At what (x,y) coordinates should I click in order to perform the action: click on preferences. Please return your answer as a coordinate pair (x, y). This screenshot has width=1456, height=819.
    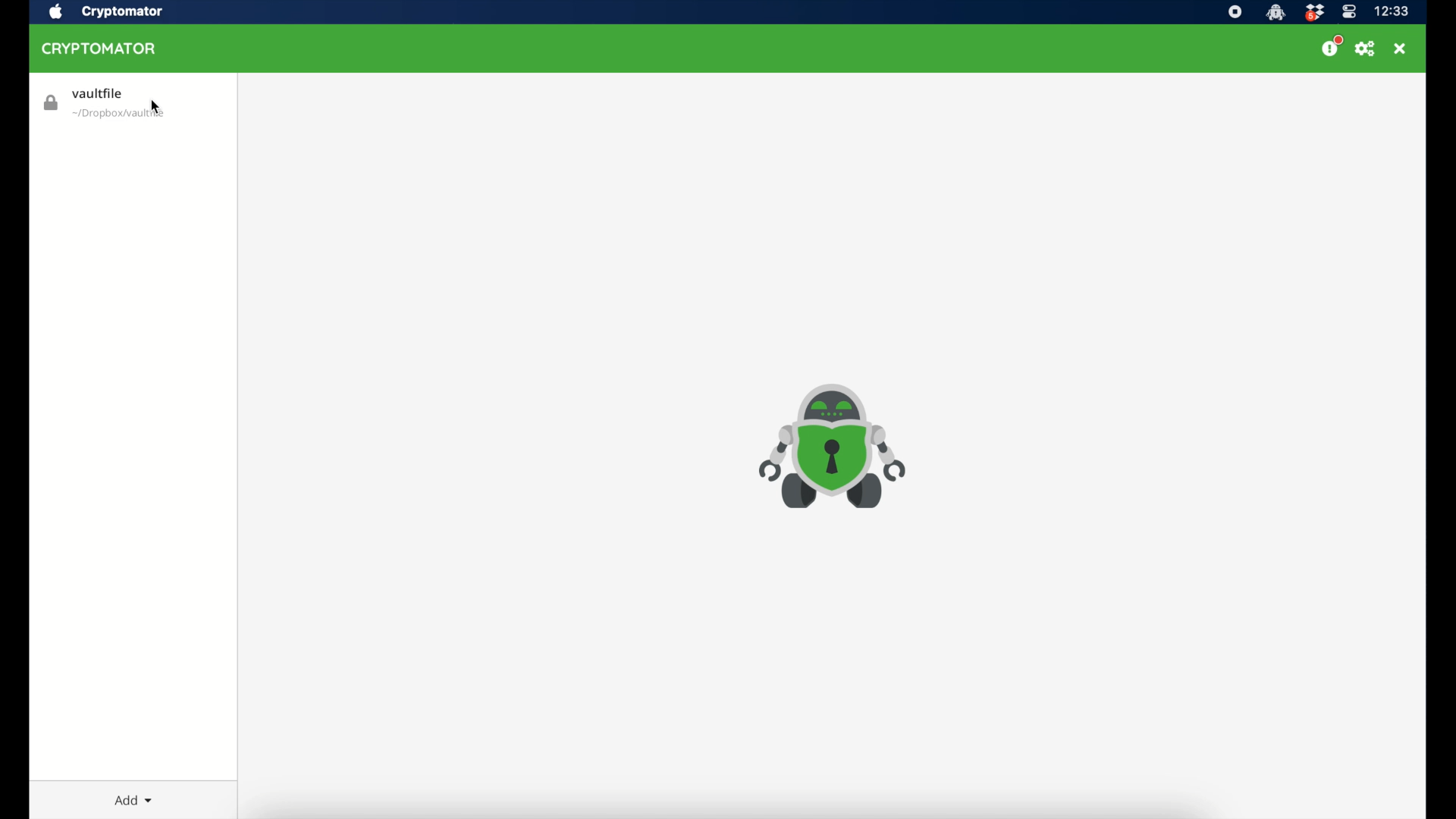
    Looking at the image, I should click on (1366, 49).